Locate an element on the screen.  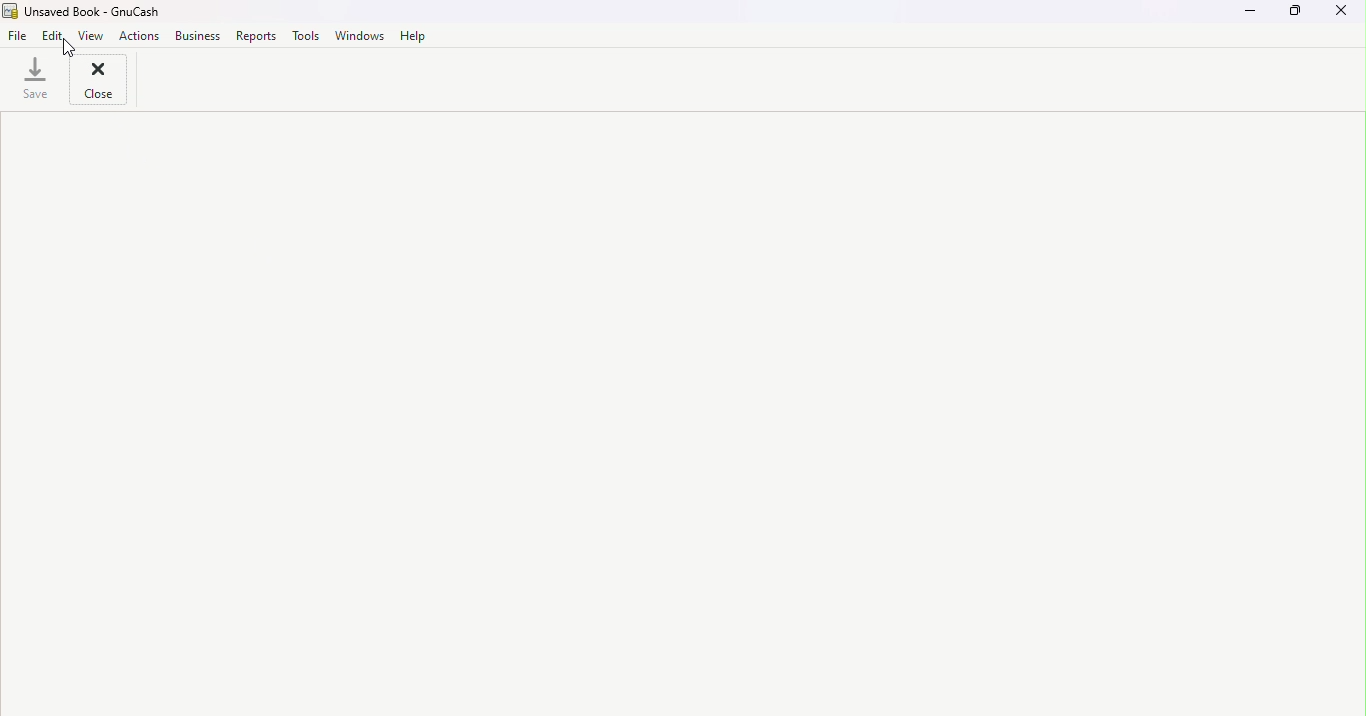
Minimize is located at coordinates (1241, 18).